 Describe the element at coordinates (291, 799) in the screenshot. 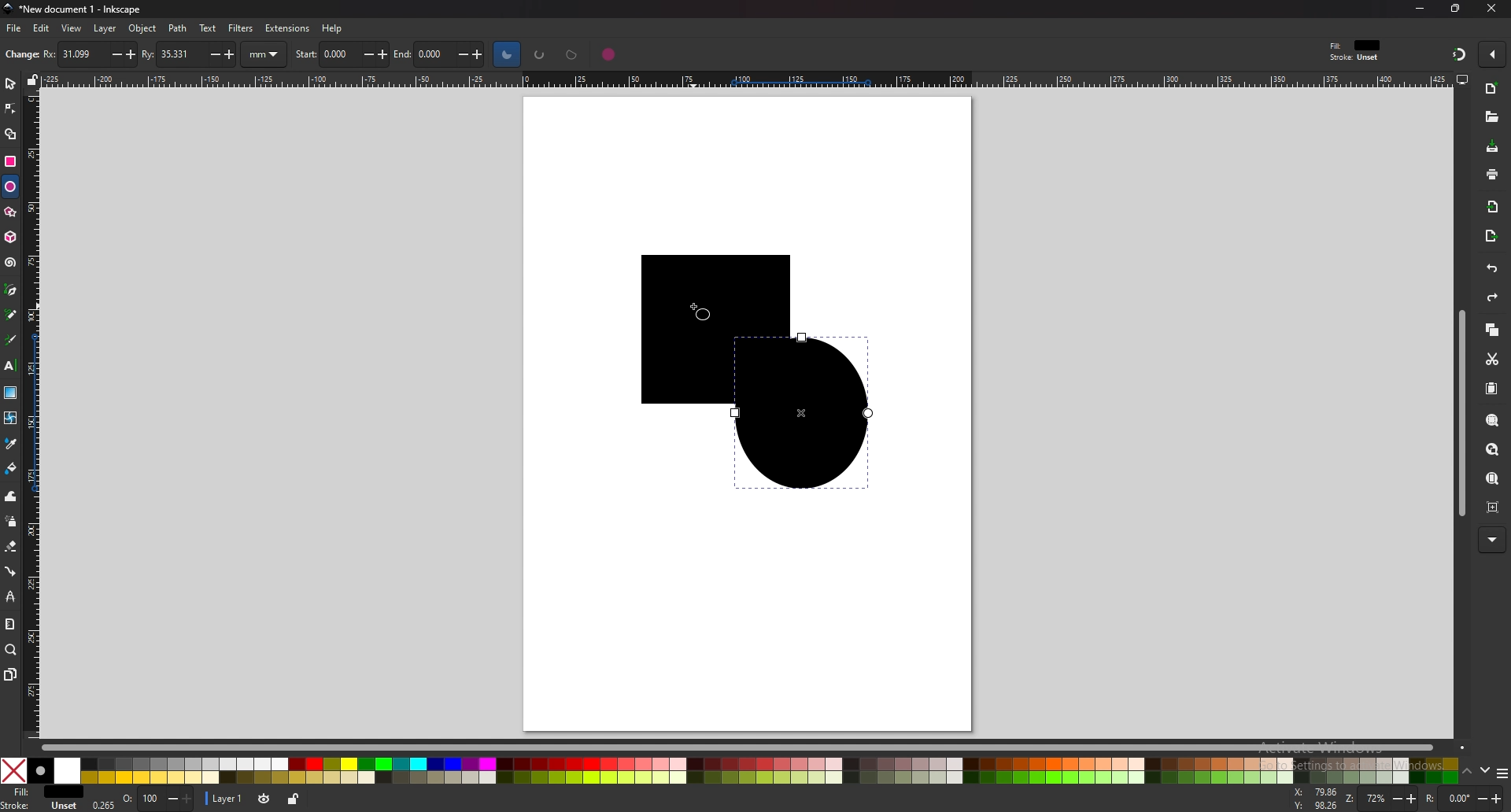

I see `toggle lock` at that location.